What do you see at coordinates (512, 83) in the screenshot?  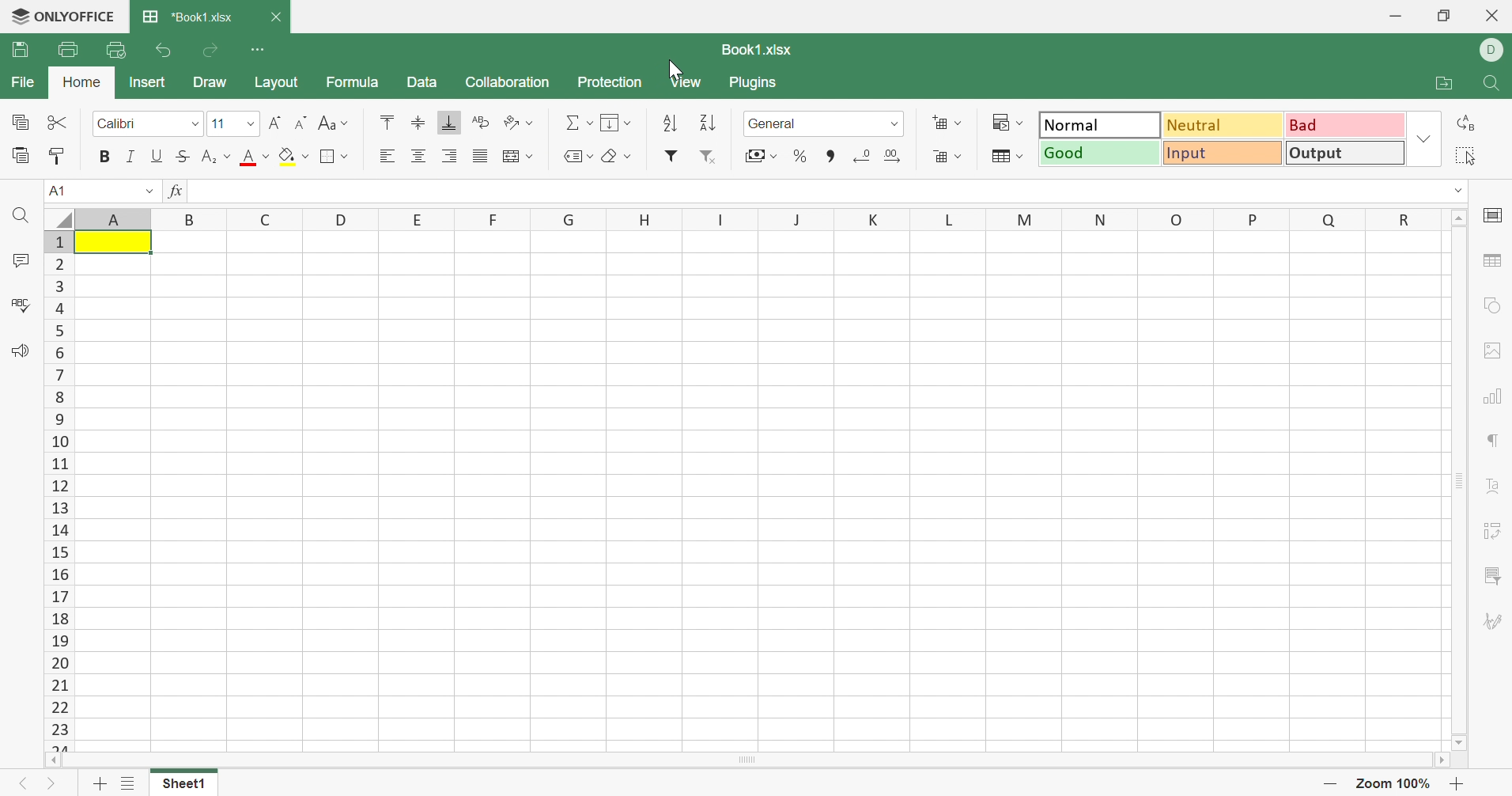 I see `Collaboration` at bounding box center [512, 83].